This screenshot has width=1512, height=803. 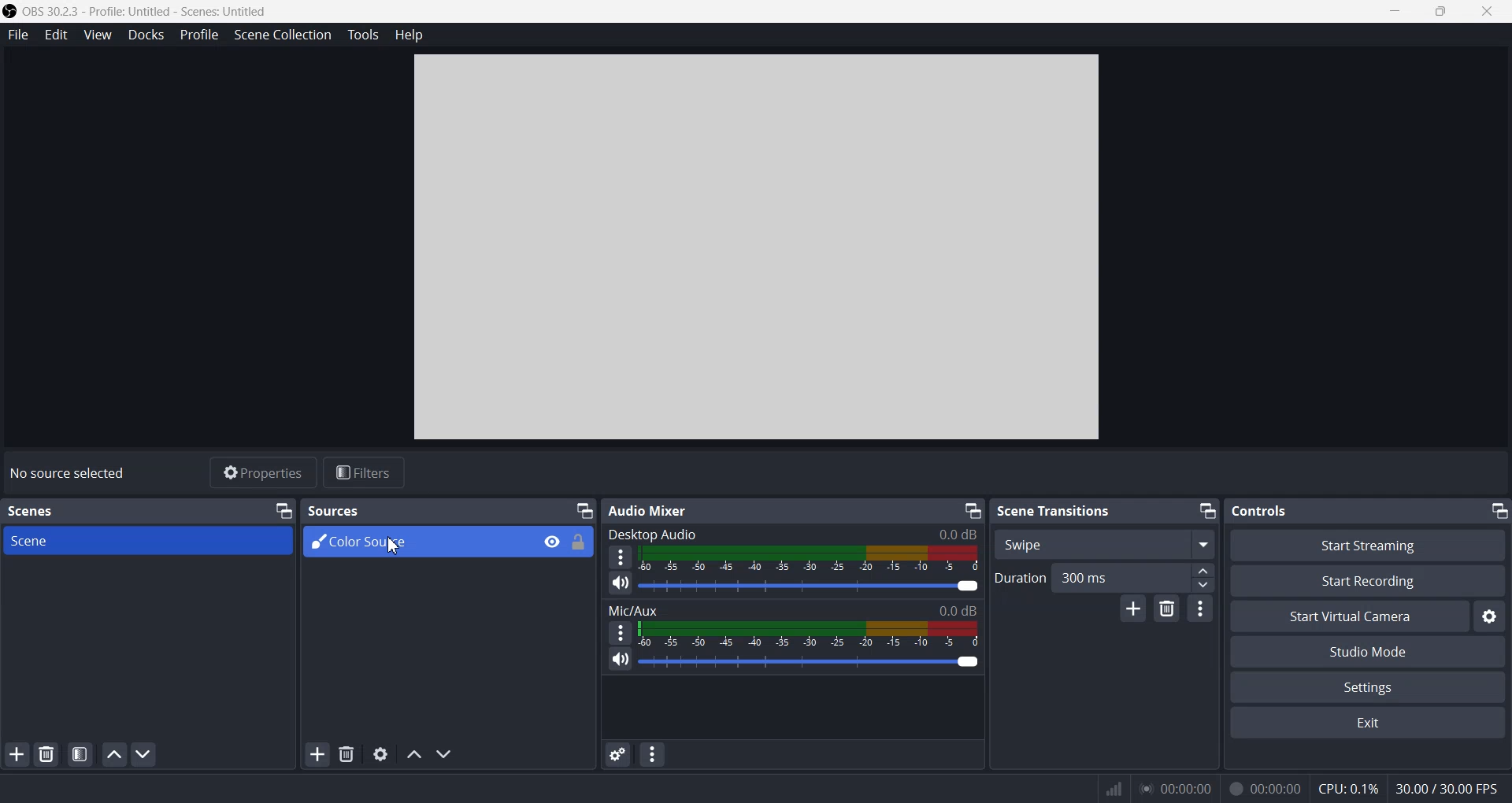 I want to click on Mic/Aux 0.0dB, so click(x=792, y=608).